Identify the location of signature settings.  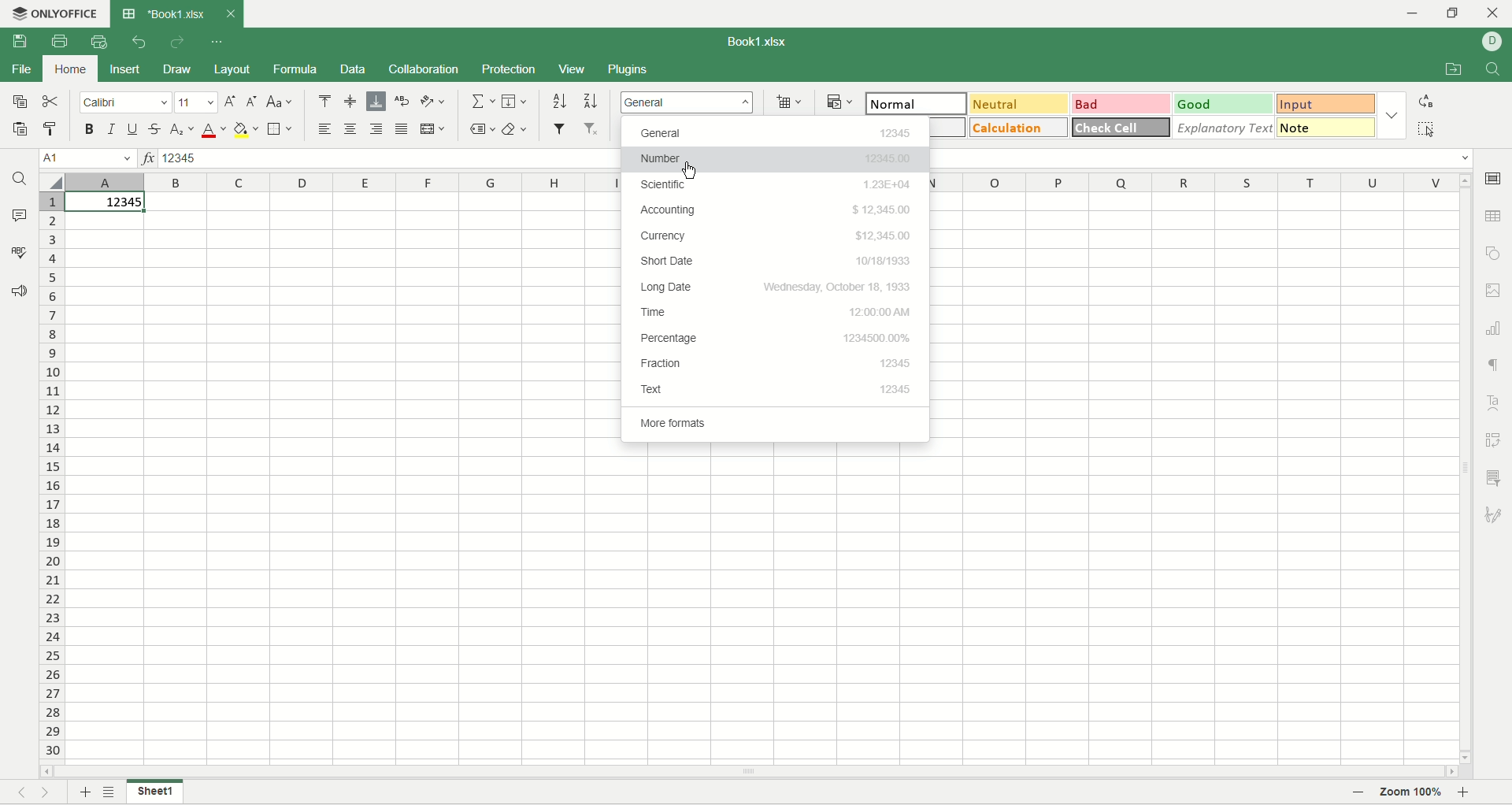
(1497, 513).